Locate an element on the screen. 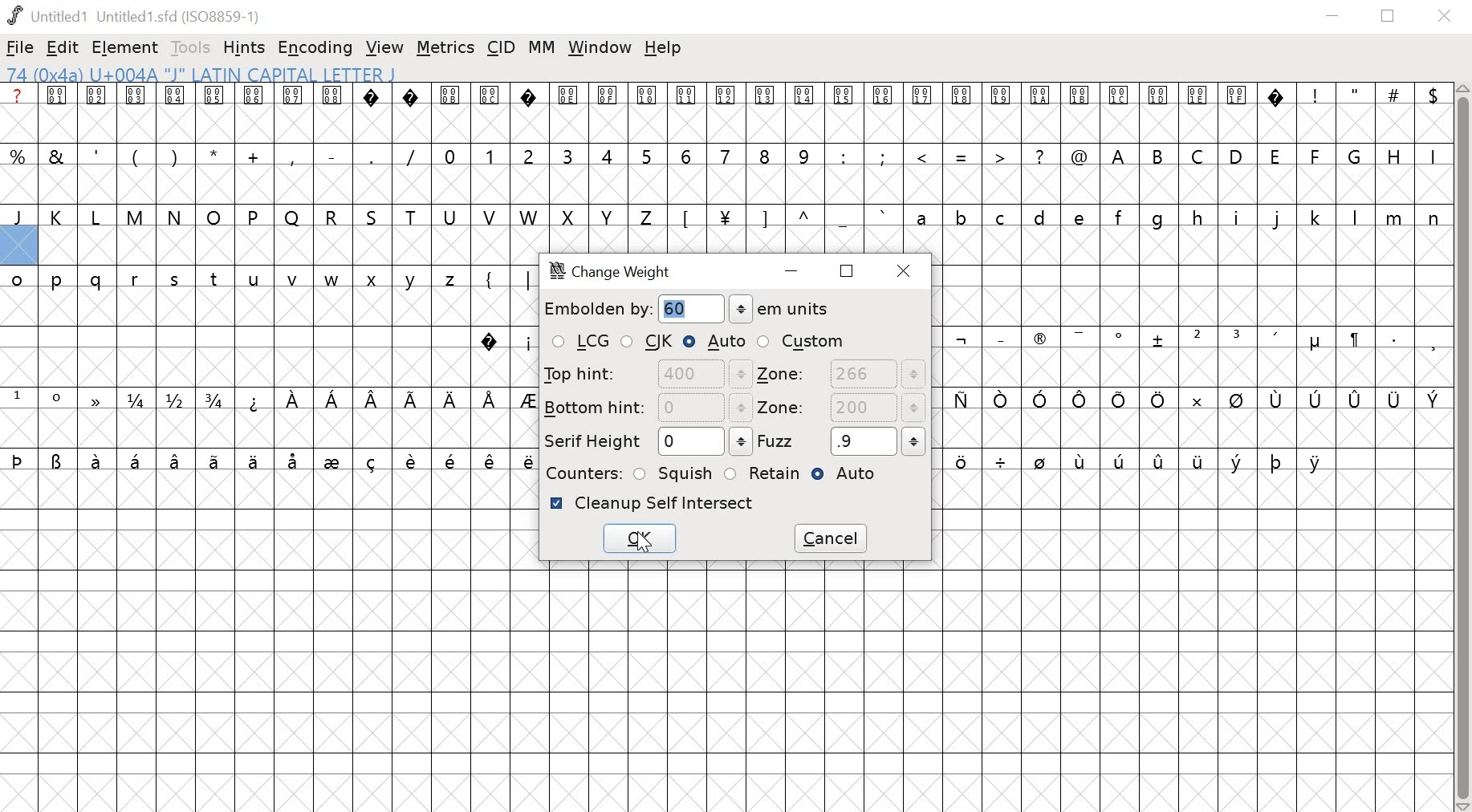 This screenshot has width=1472, height=812. symbols is located at coordinates (504, 341).